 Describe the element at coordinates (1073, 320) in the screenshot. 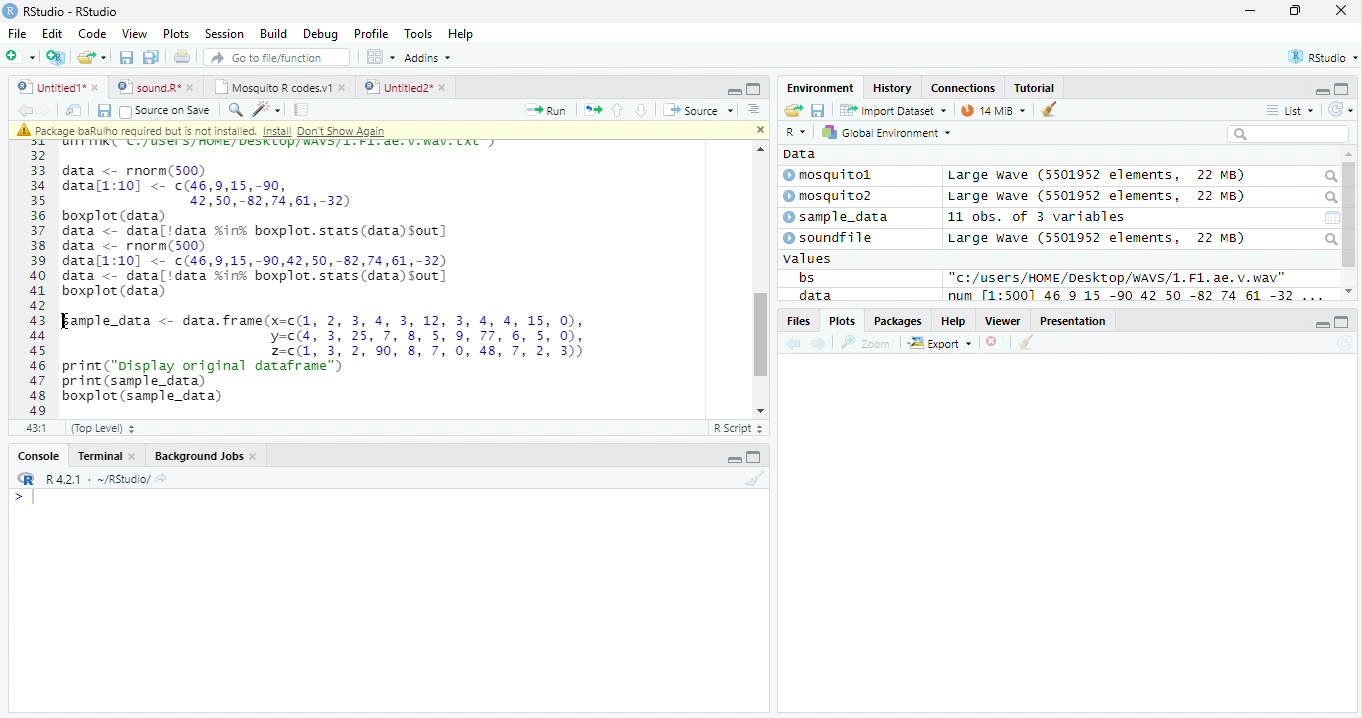

I see `Presentation` at that location.